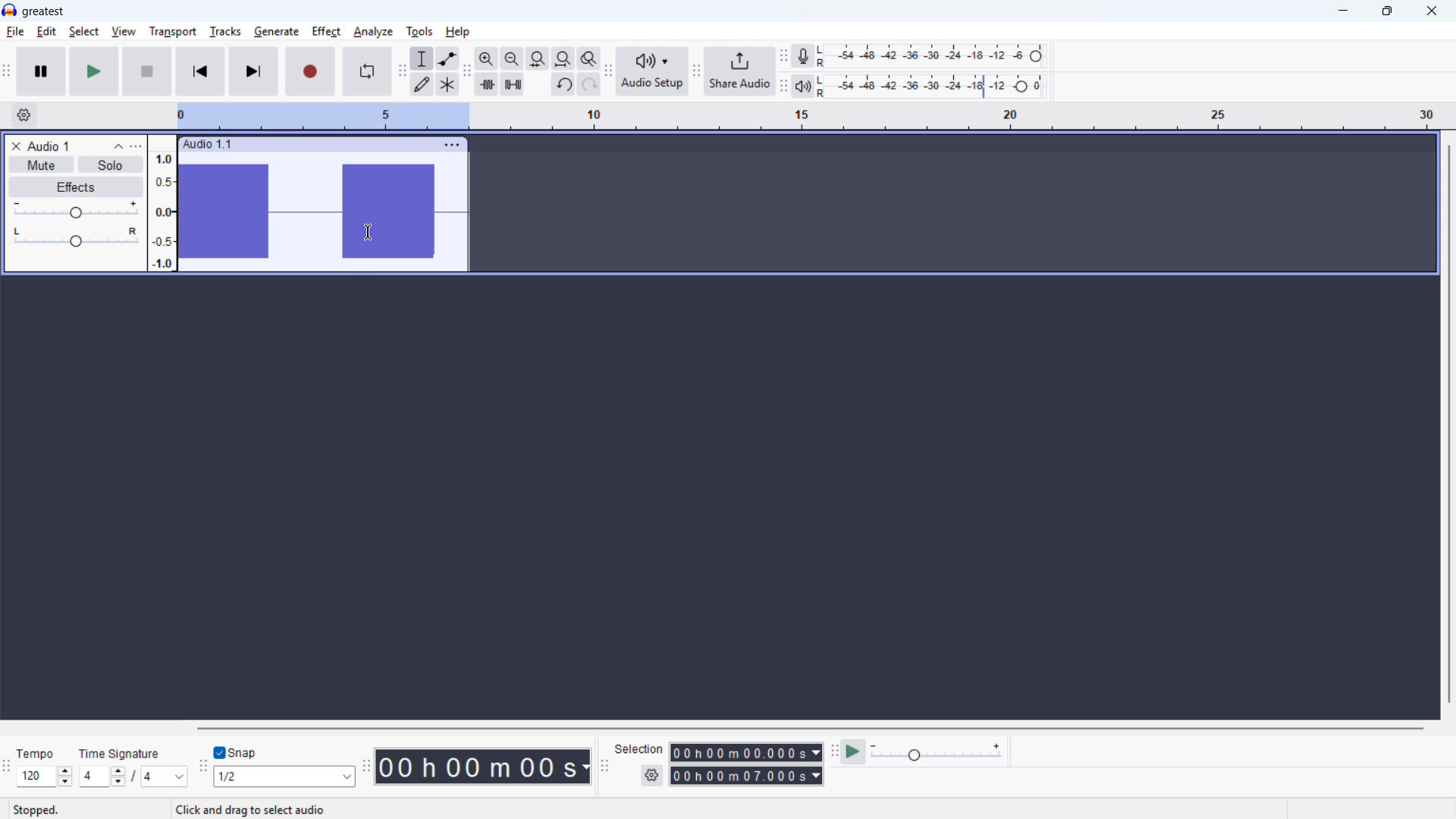 Image resolution: width=1456 pixels, height=819 pixels. I want to click on Fit selection to width , so click(538, 59).